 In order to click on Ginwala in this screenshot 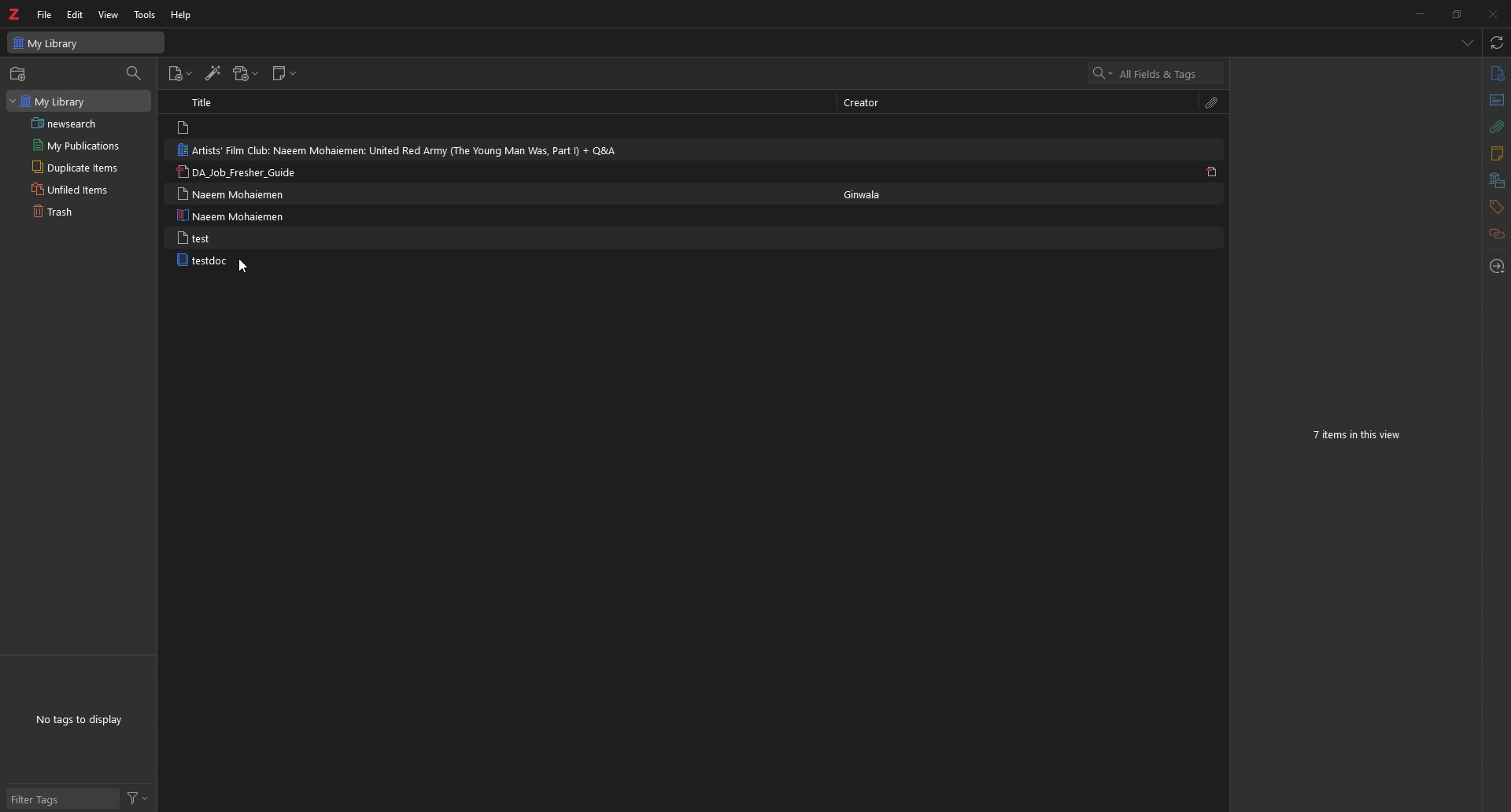, I will do `click(863, 193)`.